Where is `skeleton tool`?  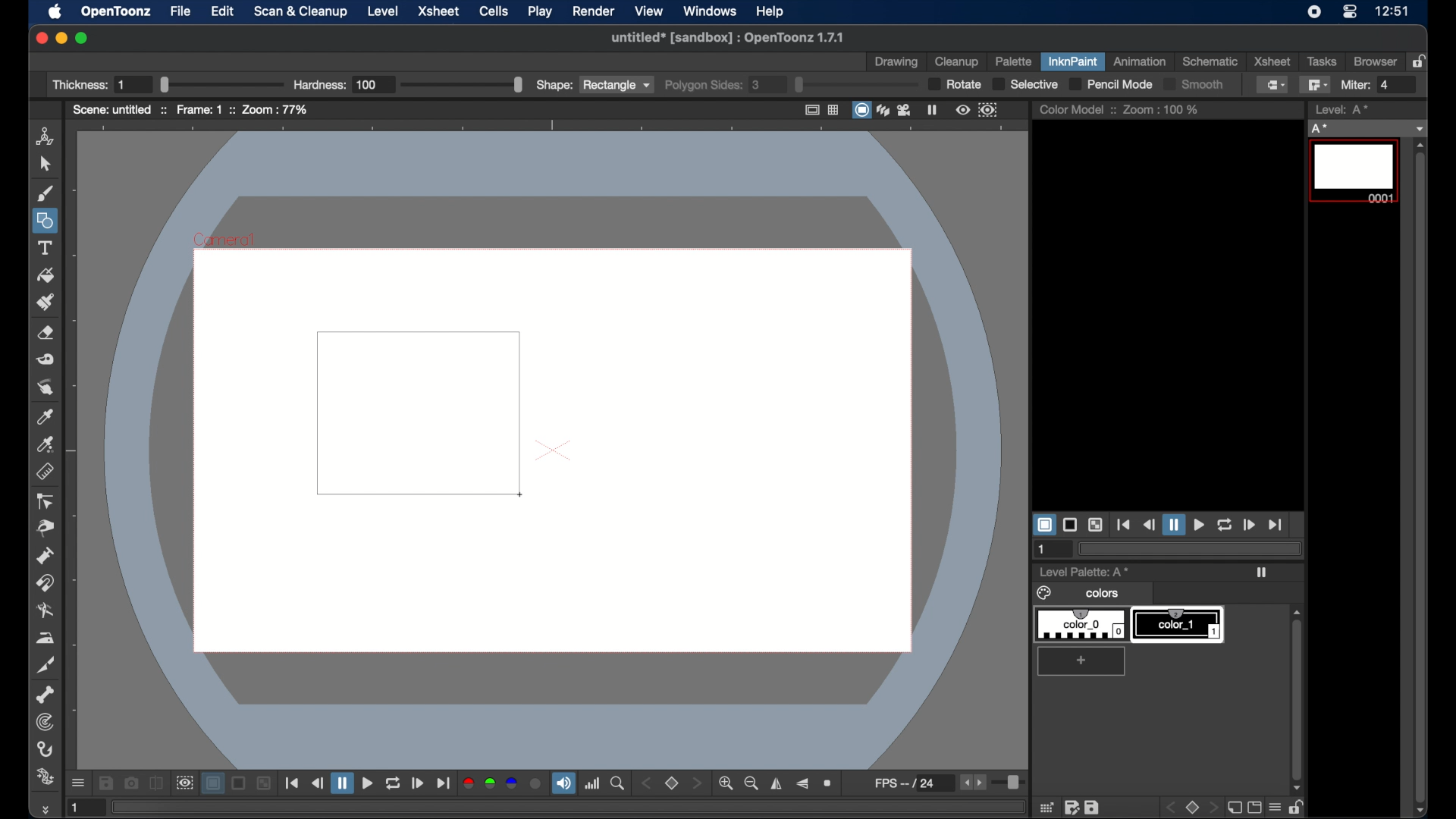 skeleton tool is located at coordinates (45, 695).